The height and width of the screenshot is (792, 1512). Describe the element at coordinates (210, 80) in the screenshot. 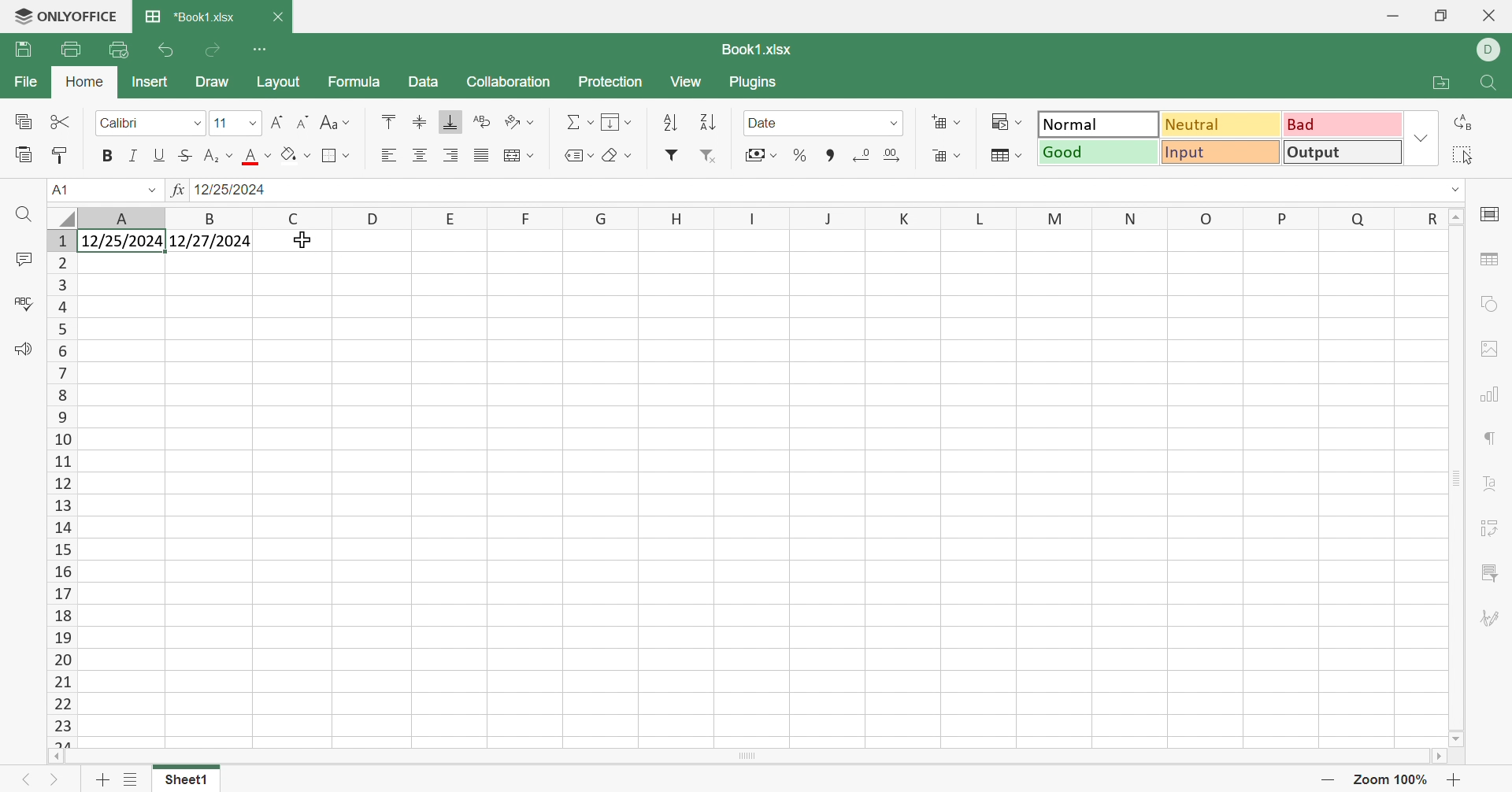

I see `Draw` at that location.